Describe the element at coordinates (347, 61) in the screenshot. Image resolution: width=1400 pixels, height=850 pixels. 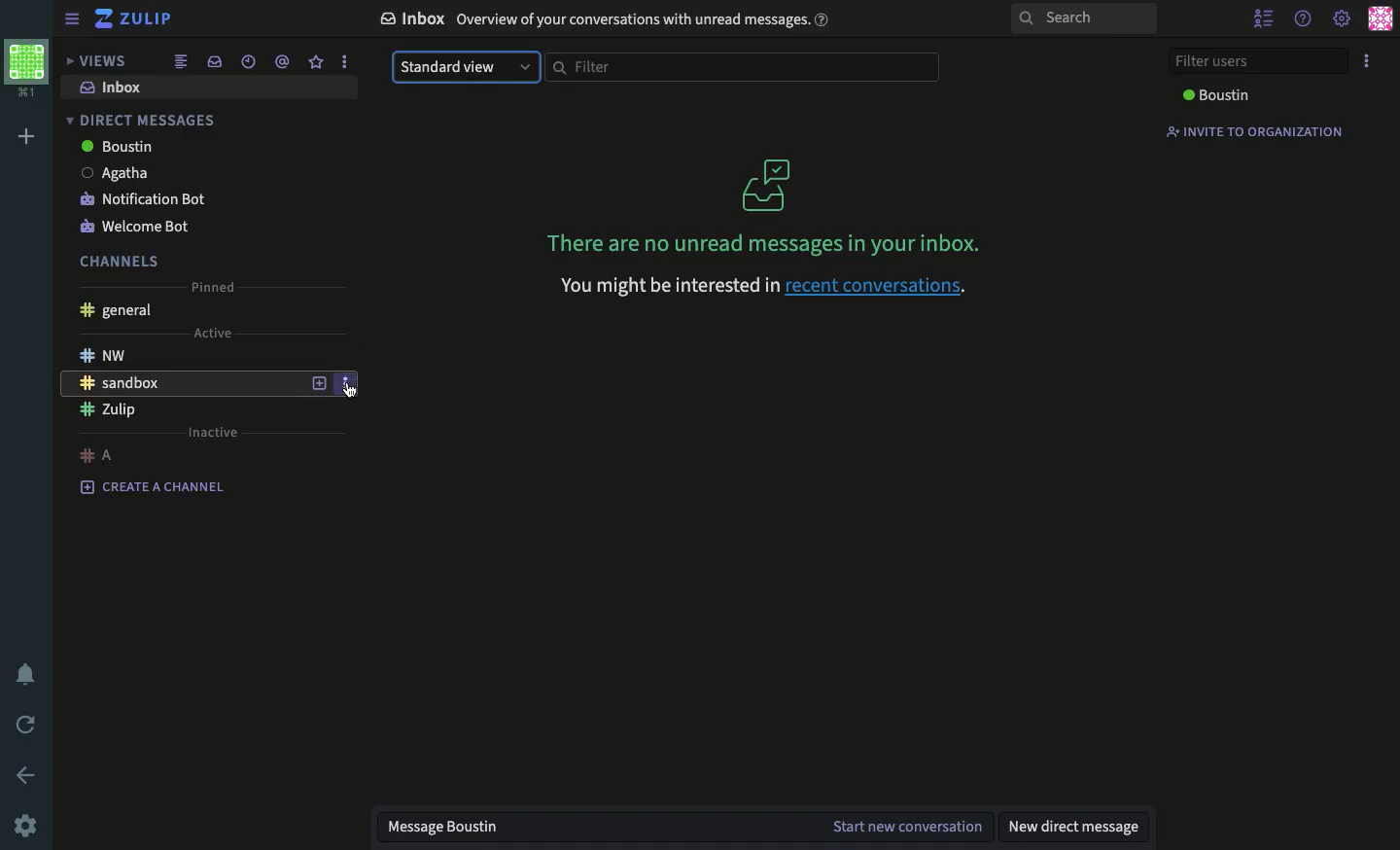
I see `options` at that location.